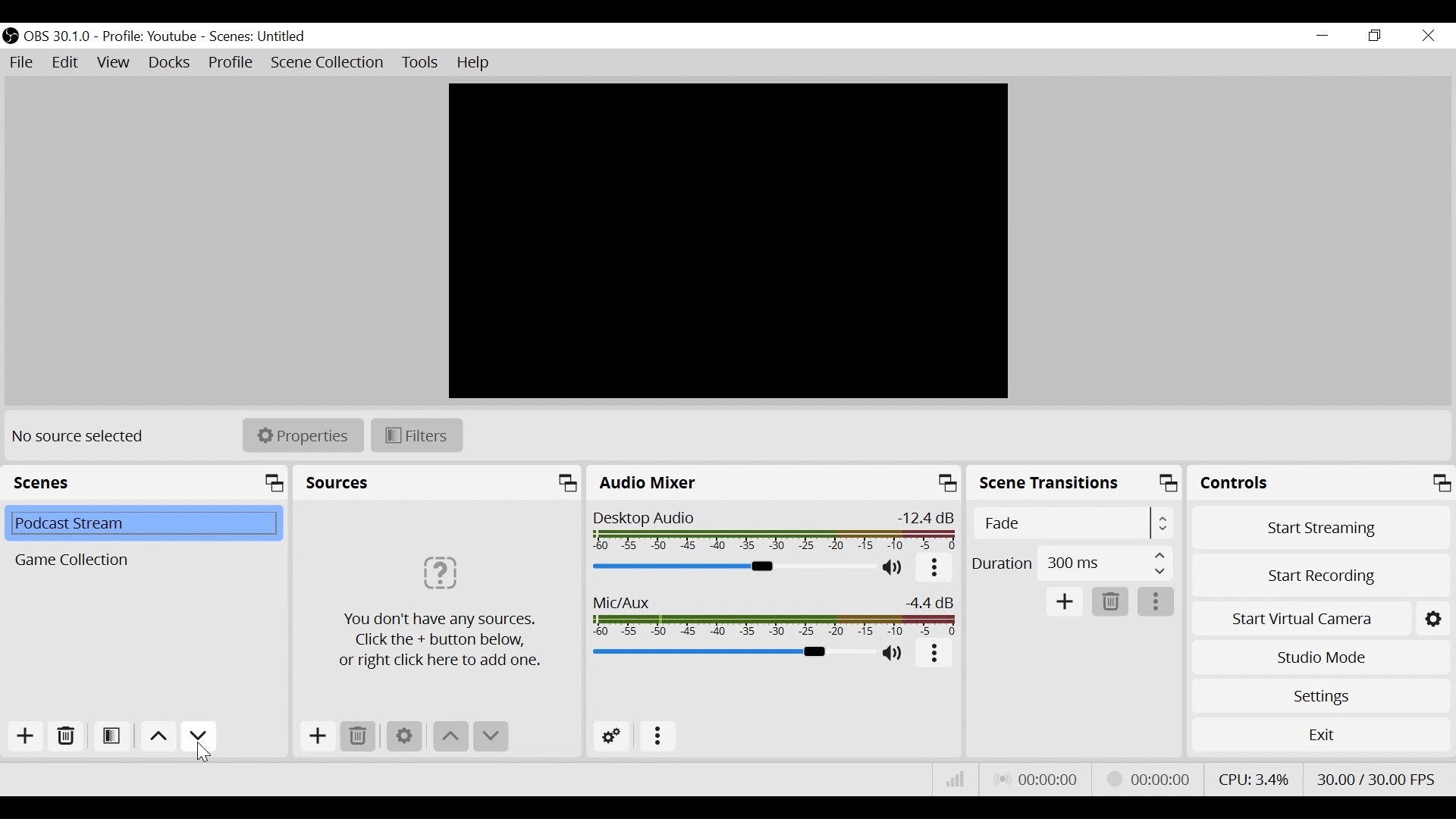 The image size is (1456, 819). I want to click on Edit, so click(67, 63).